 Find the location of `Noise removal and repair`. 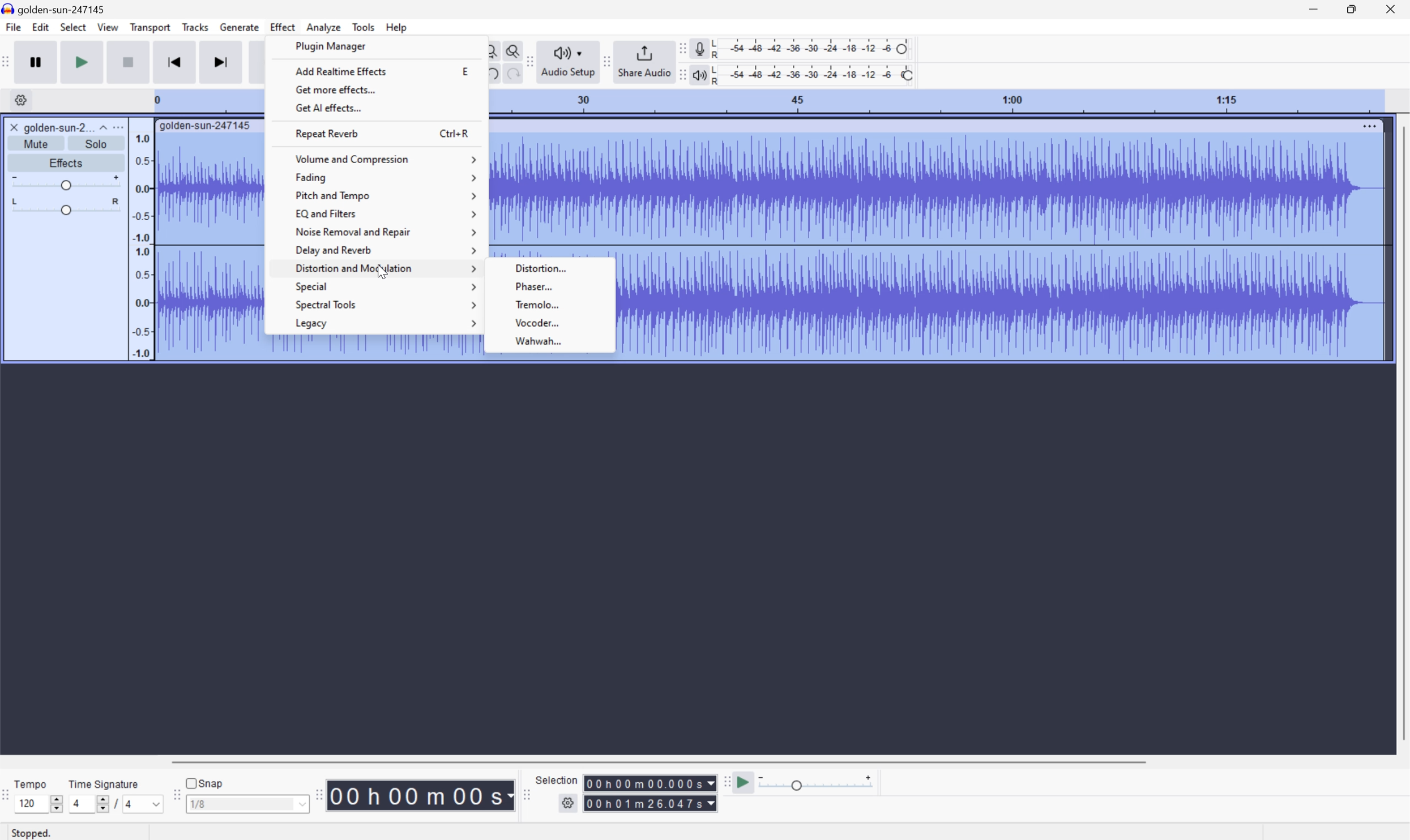

Noise removal and repair is located at coordinates (386, 232).